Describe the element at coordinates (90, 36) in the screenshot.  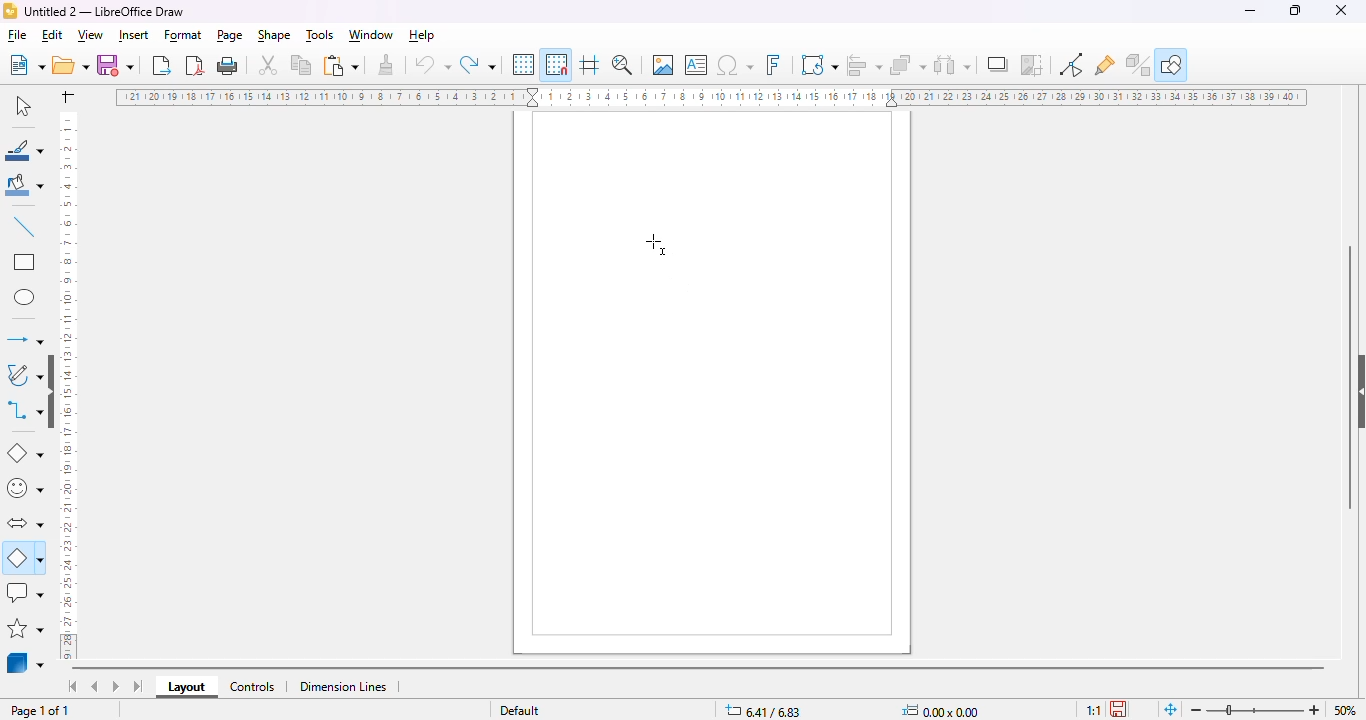
I see `view` at that location.